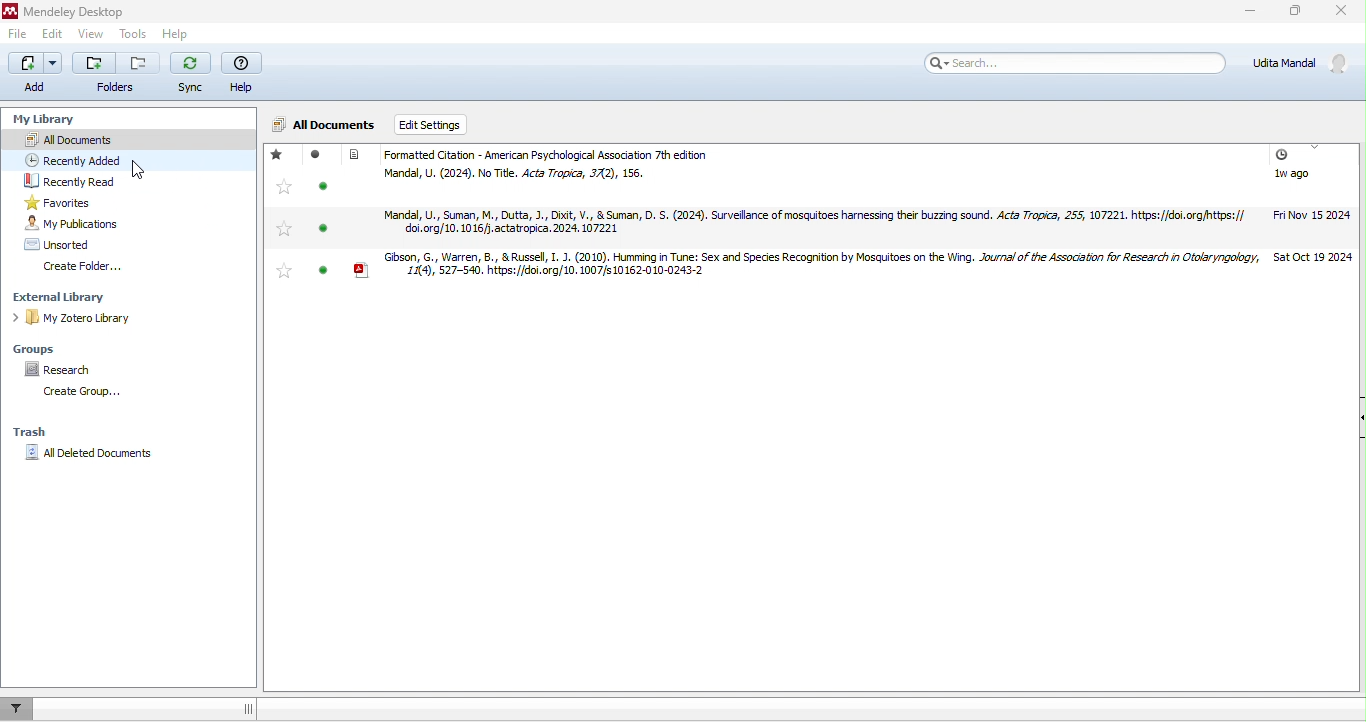  What do you see at coordinates (134, 34) in the screenshot?
I see `tools` at bounding box center [134, 34].